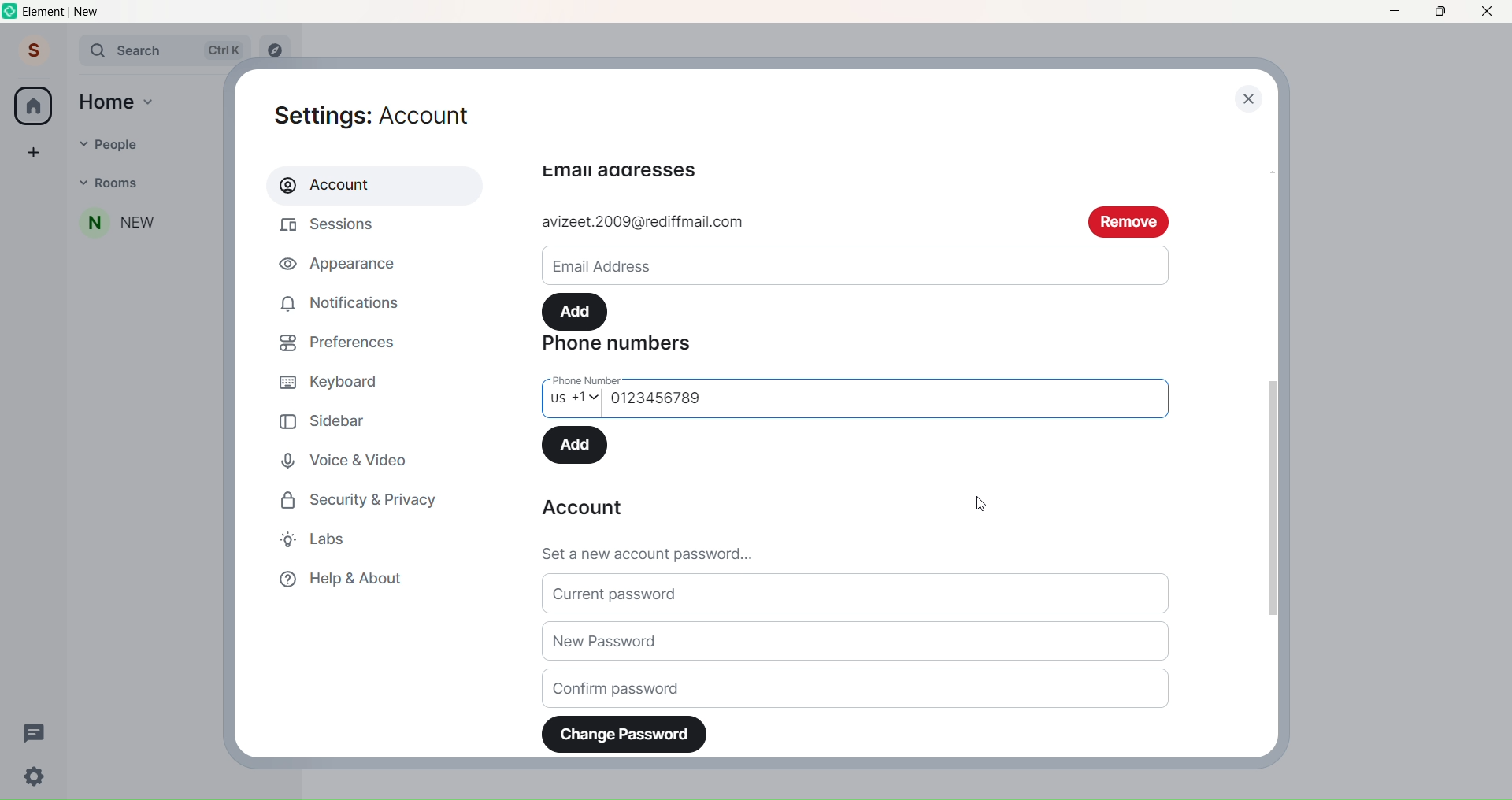  What do you see at coordinates (857, 687) in the screenshot?
I see `Confirm Password` at bounding box center [857, 687].